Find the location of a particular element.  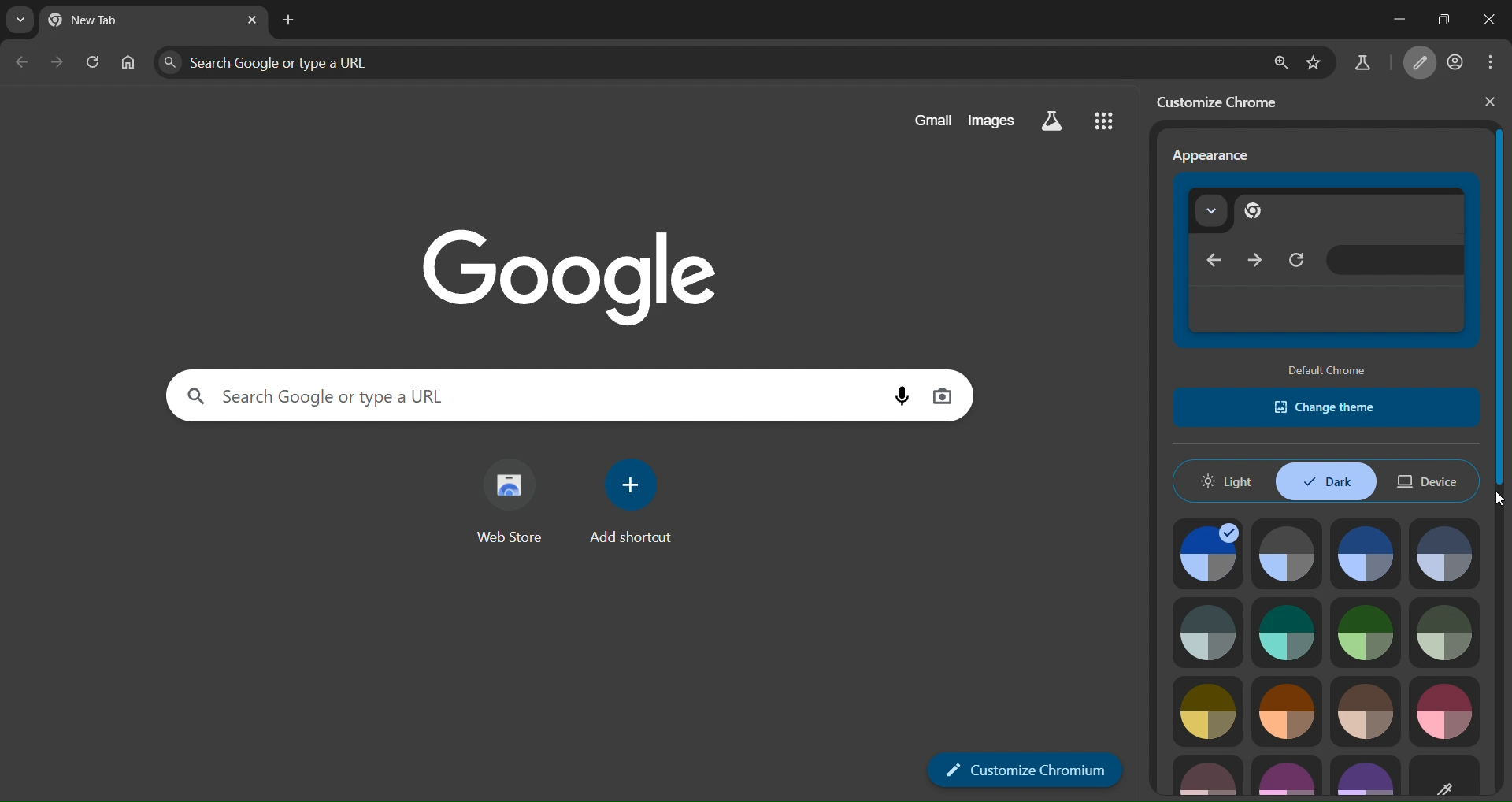

theme is located at coordinates (1367, 631).